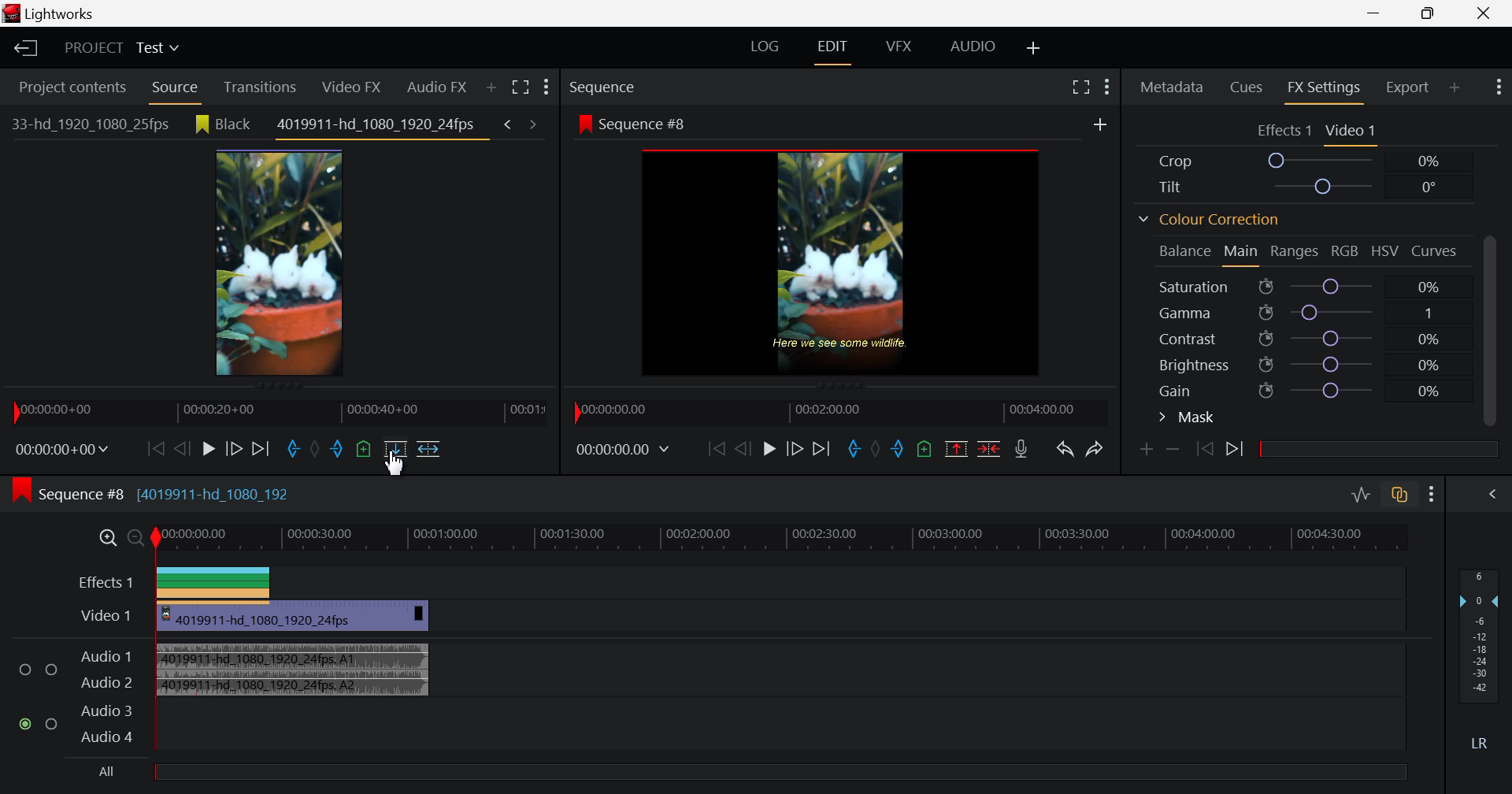  Describe the element at coordinates (958, 448) in the screenshot. I see `Remove marked section` at that location.